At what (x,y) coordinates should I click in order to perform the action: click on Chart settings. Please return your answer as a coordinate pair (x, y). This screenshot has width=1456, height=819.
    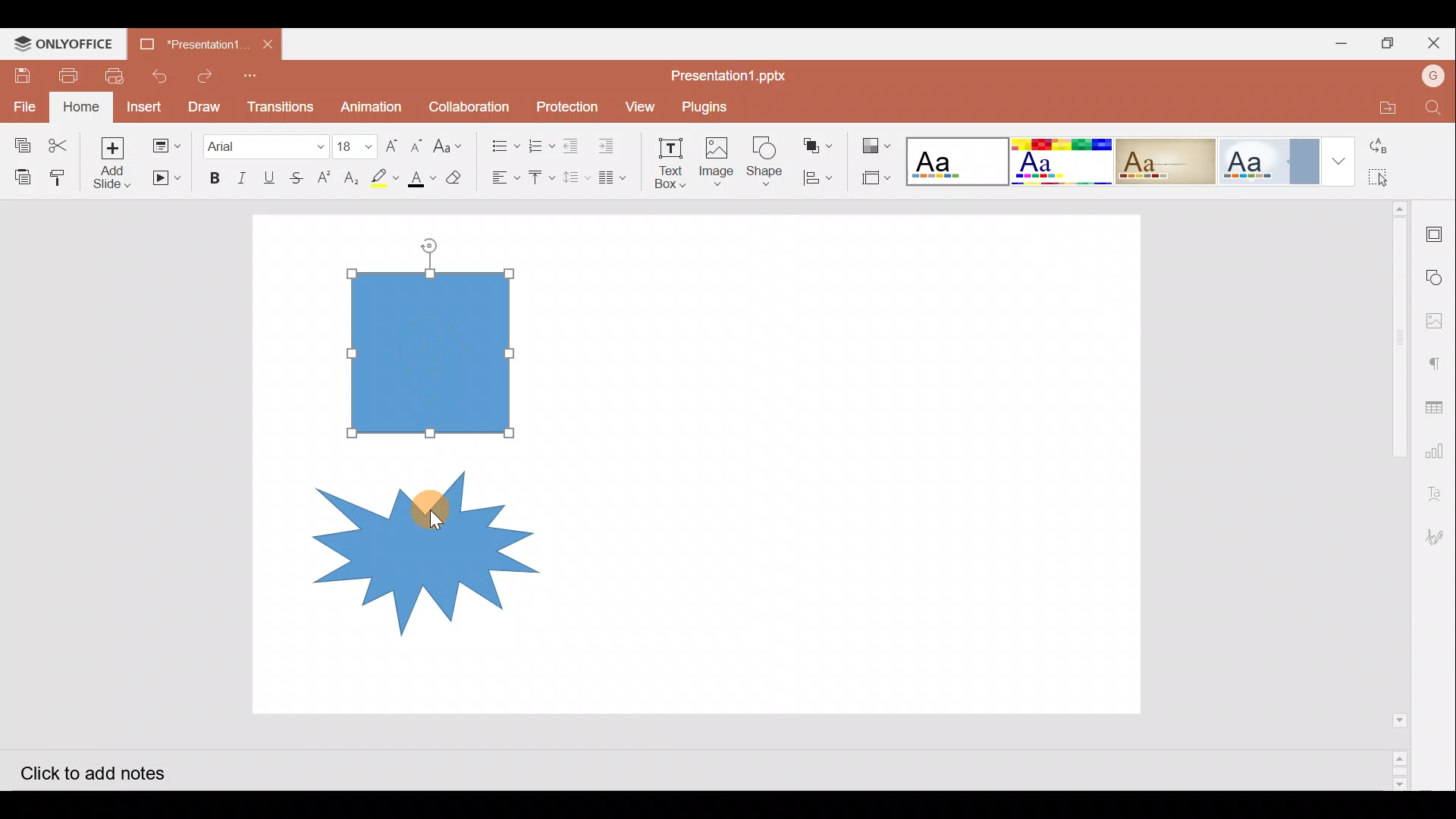
    Looking at the image, I should click on (1442, 454).